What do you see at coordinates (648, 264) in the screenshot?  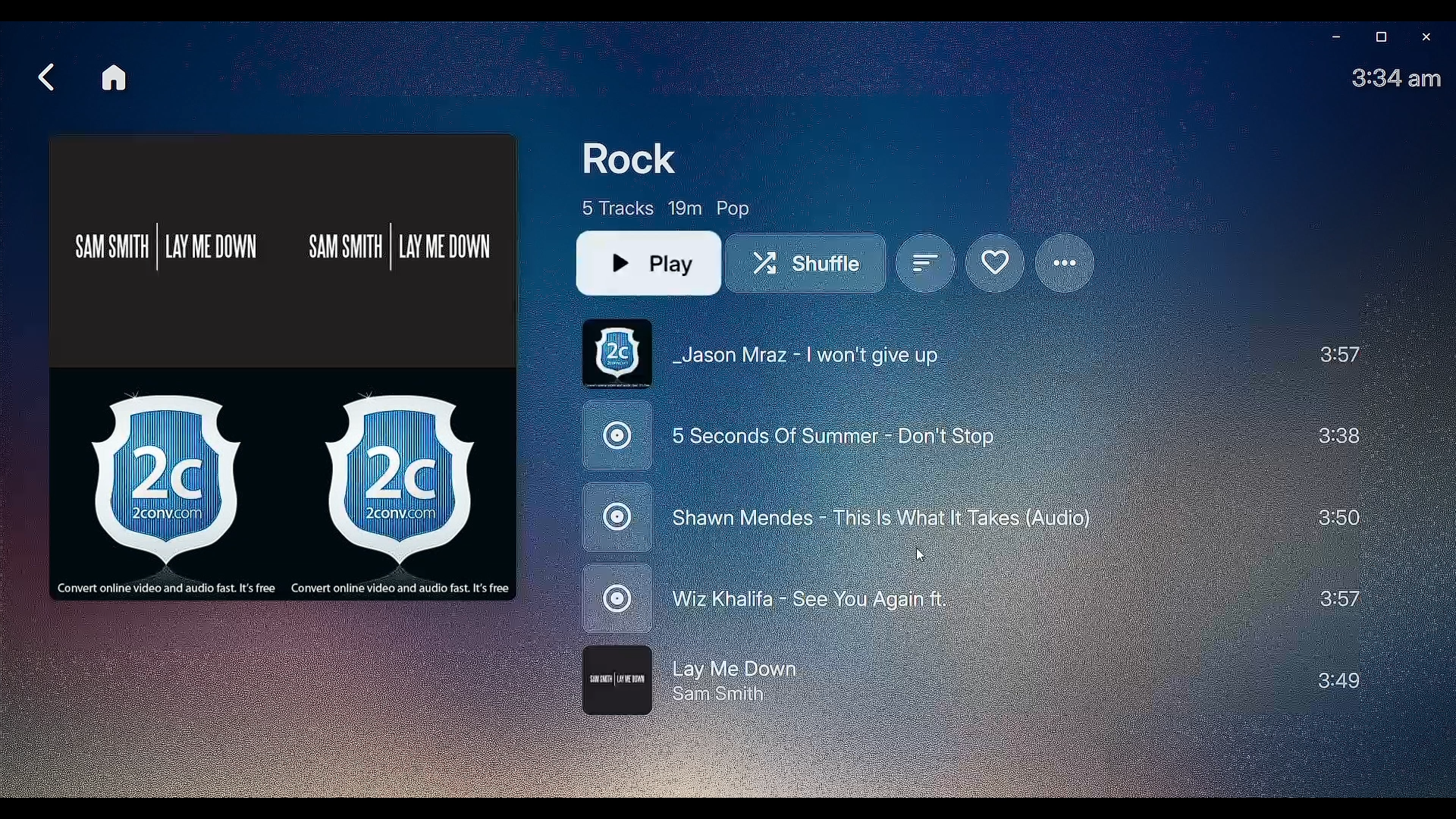 I see `Play` at bounding box center [648, 264].